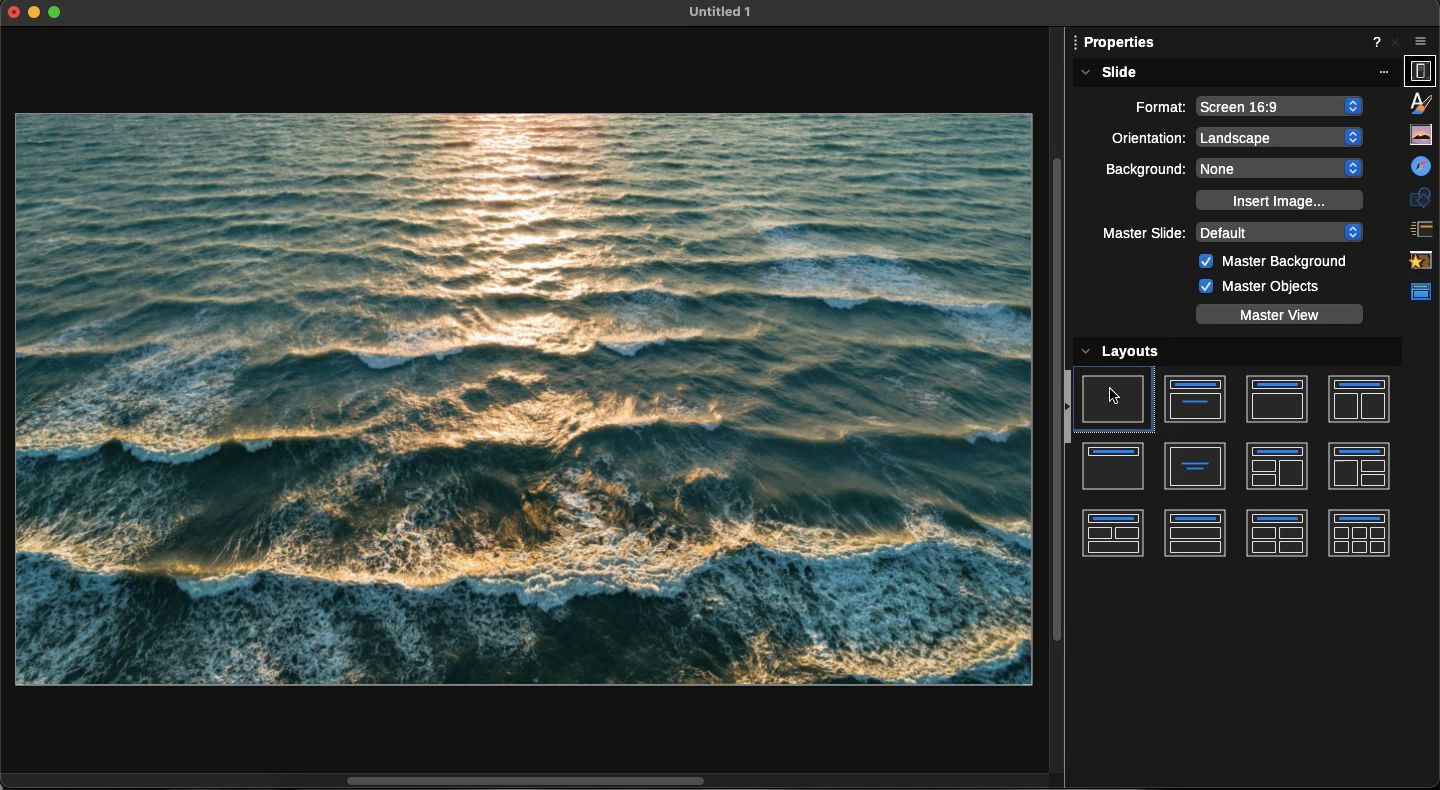 The width and height of the screenshot is (1440, 790). What do you see at coordinates (1422, 105) in the screenshot?
I see `Styles` at bounding box center [1422, 105].